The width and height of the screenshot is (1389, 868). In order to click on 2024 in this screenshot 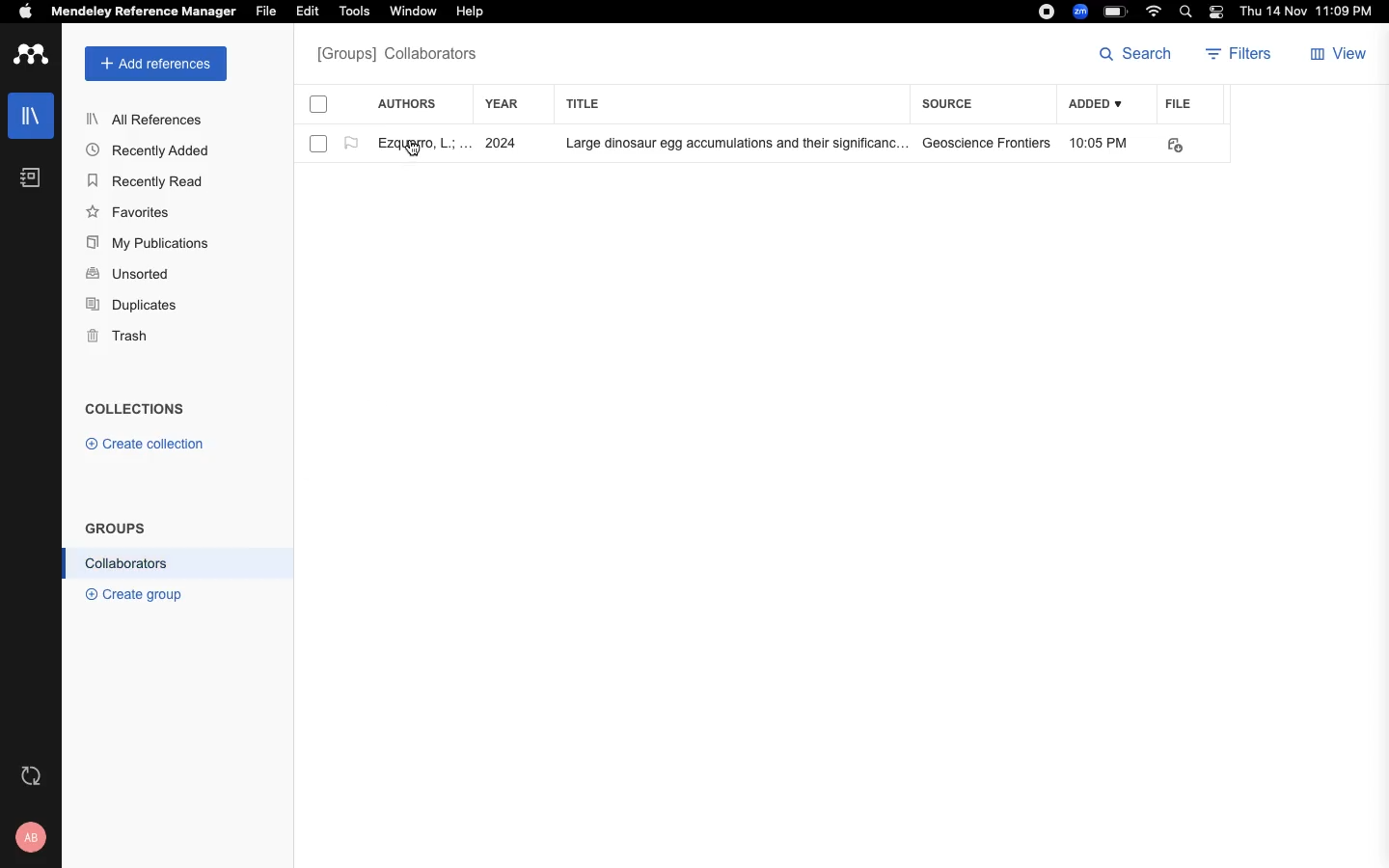, I will do `click(504, 145)`.